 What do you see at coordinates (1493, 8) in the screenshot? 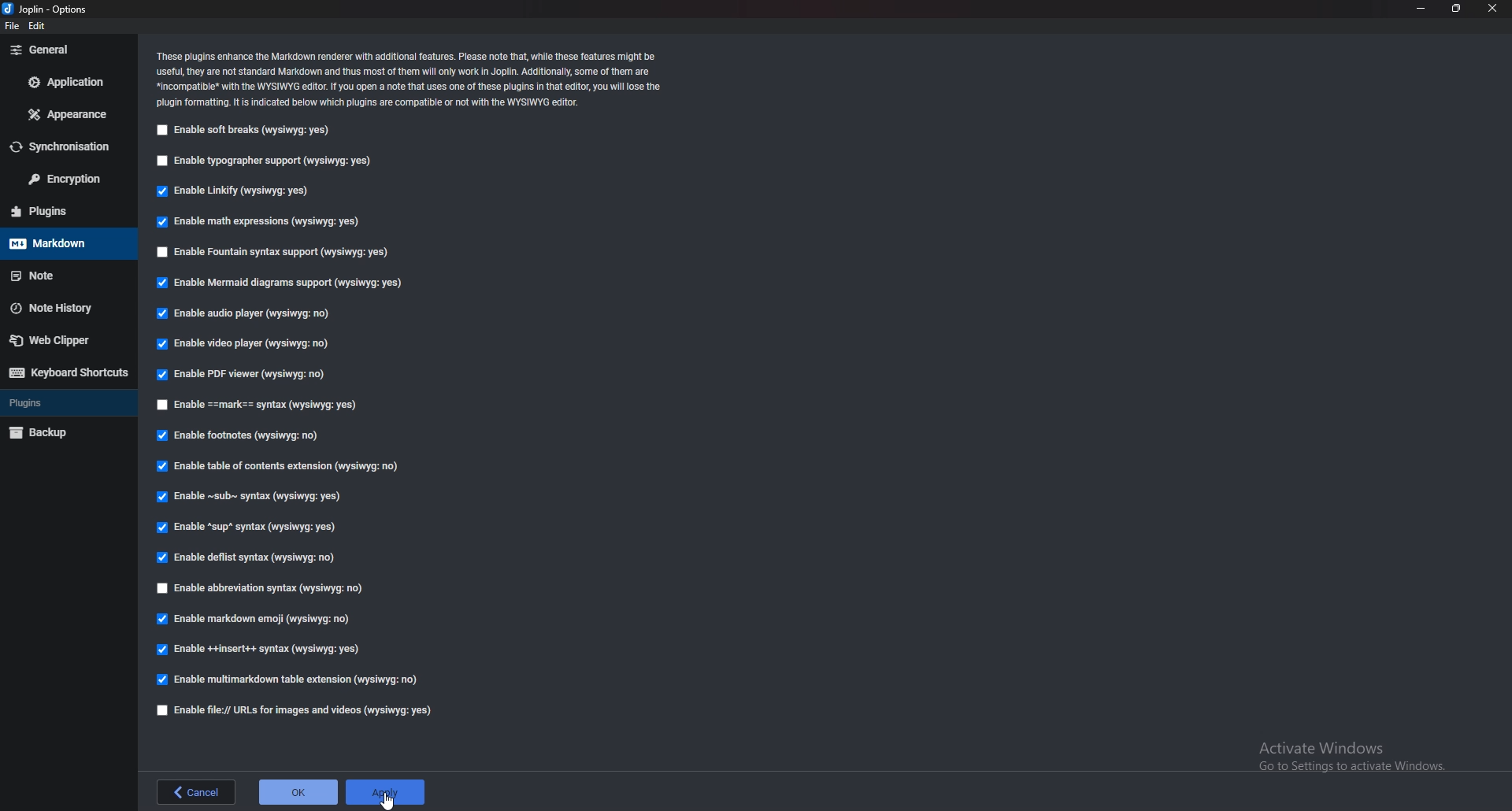
I see `close` at bounding box center [1493, 8].